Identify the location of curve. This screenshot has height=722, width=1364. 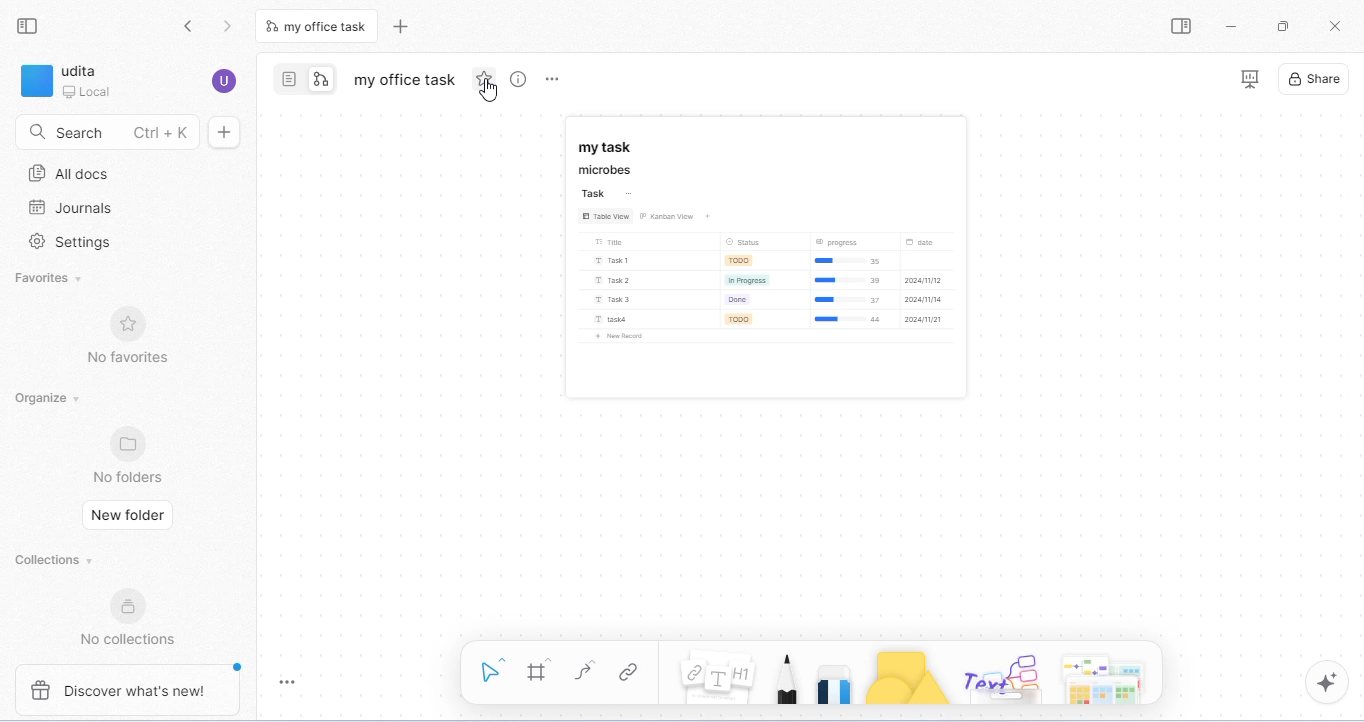
(586, 670).